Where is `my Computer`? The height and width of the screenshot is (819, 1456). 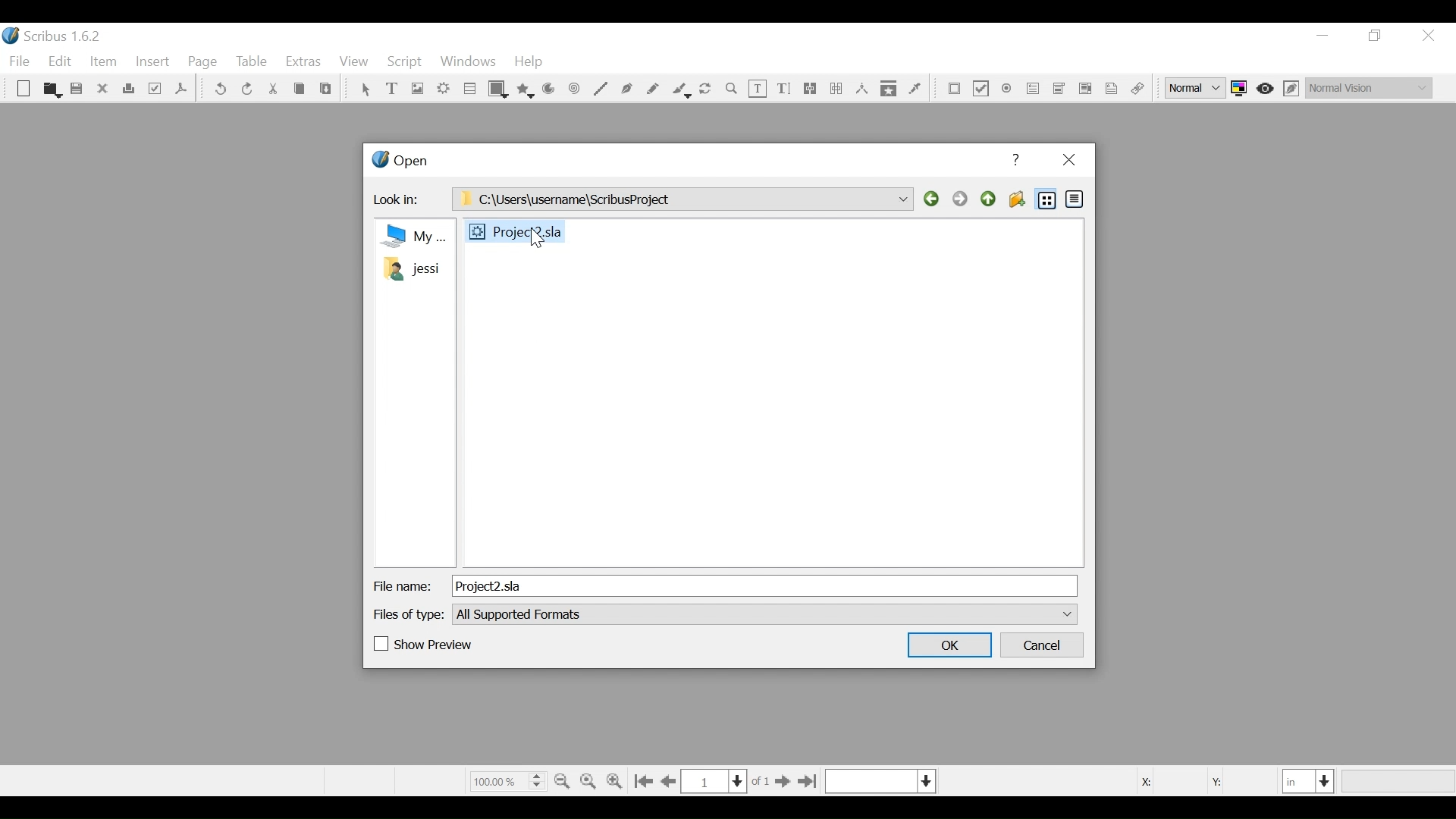 my Computer is located at coordinates (412, 235).